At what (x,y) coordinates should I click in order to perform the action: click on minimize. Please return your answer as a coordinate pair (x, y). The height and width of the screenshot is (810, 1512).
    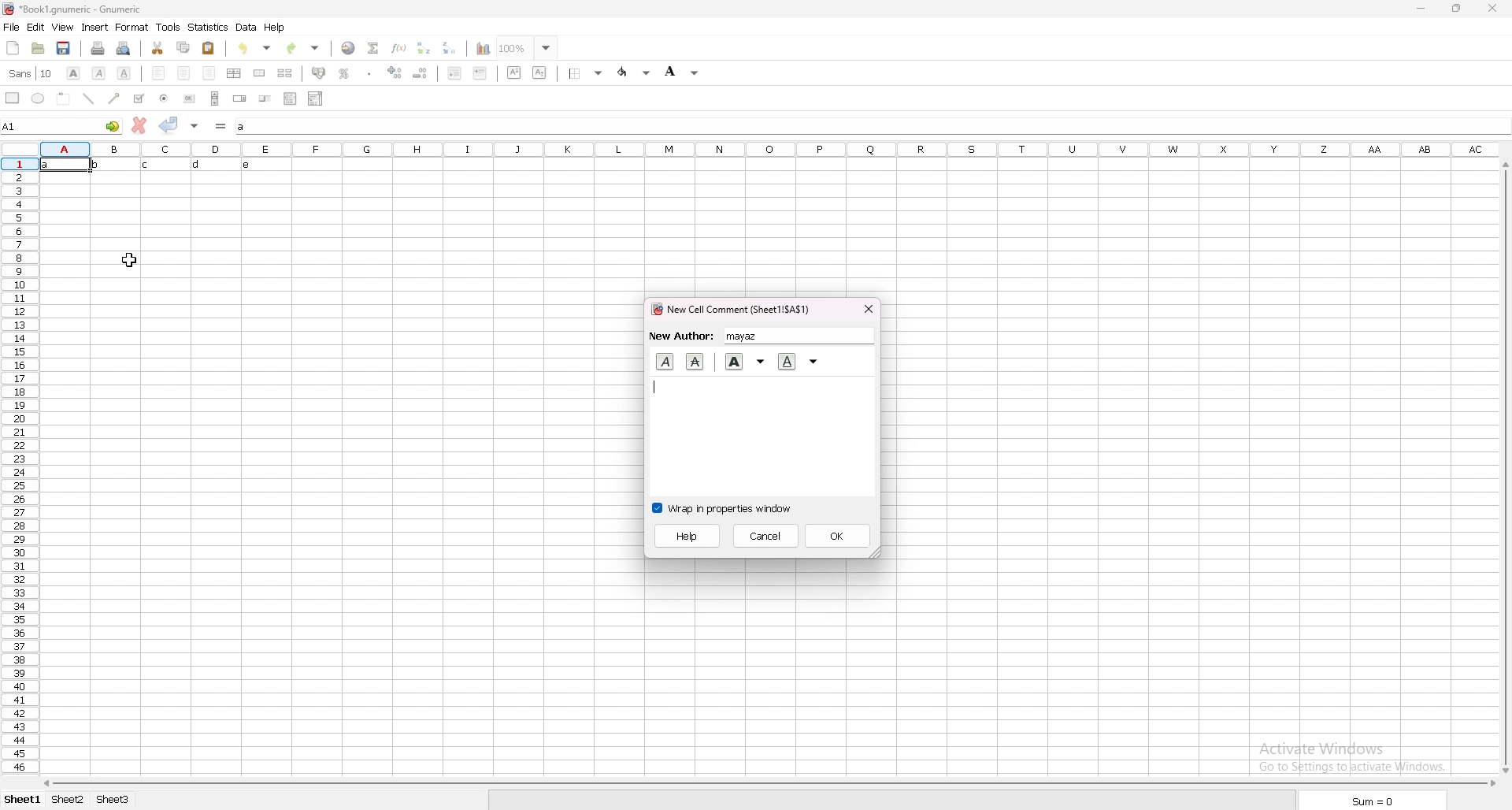
    Looking at the image, I should click on (1421, 9).